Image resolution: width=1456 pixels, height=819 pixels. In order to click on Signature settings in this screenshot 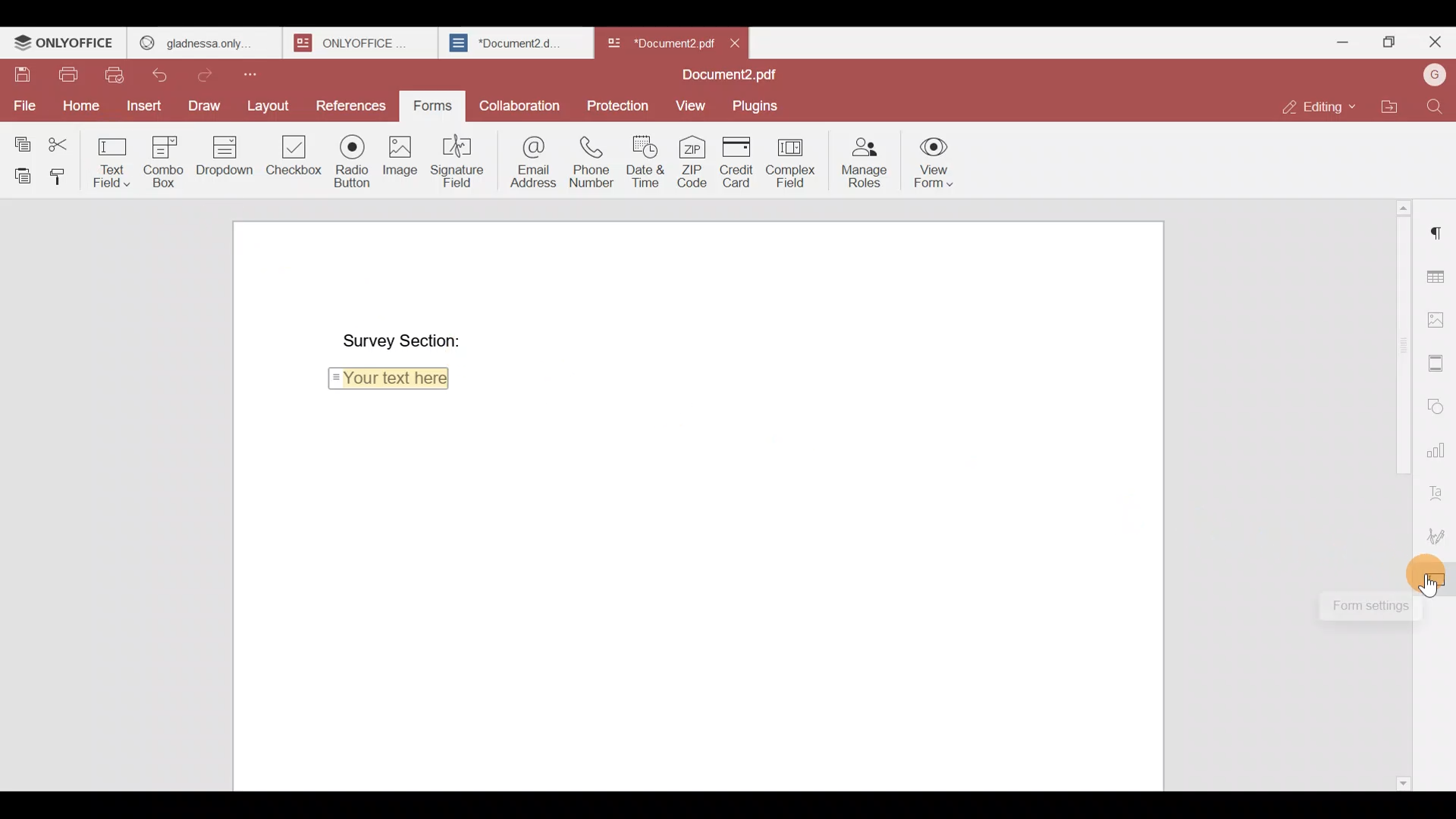, I will do `click(1438, 536)`.